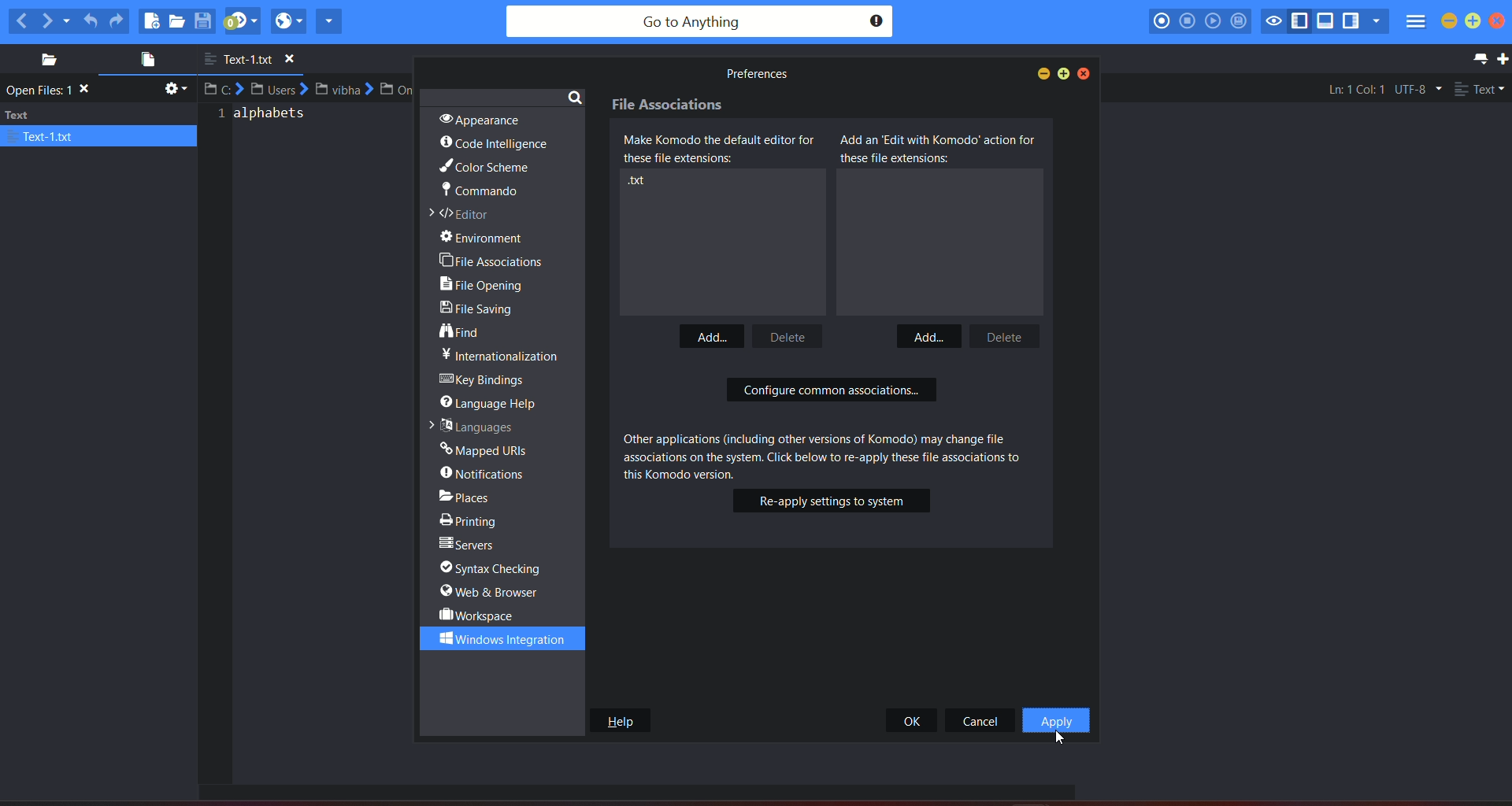  Describe the element at coordinates (479, 615) in the screenshot. I see `workspace` at that location.